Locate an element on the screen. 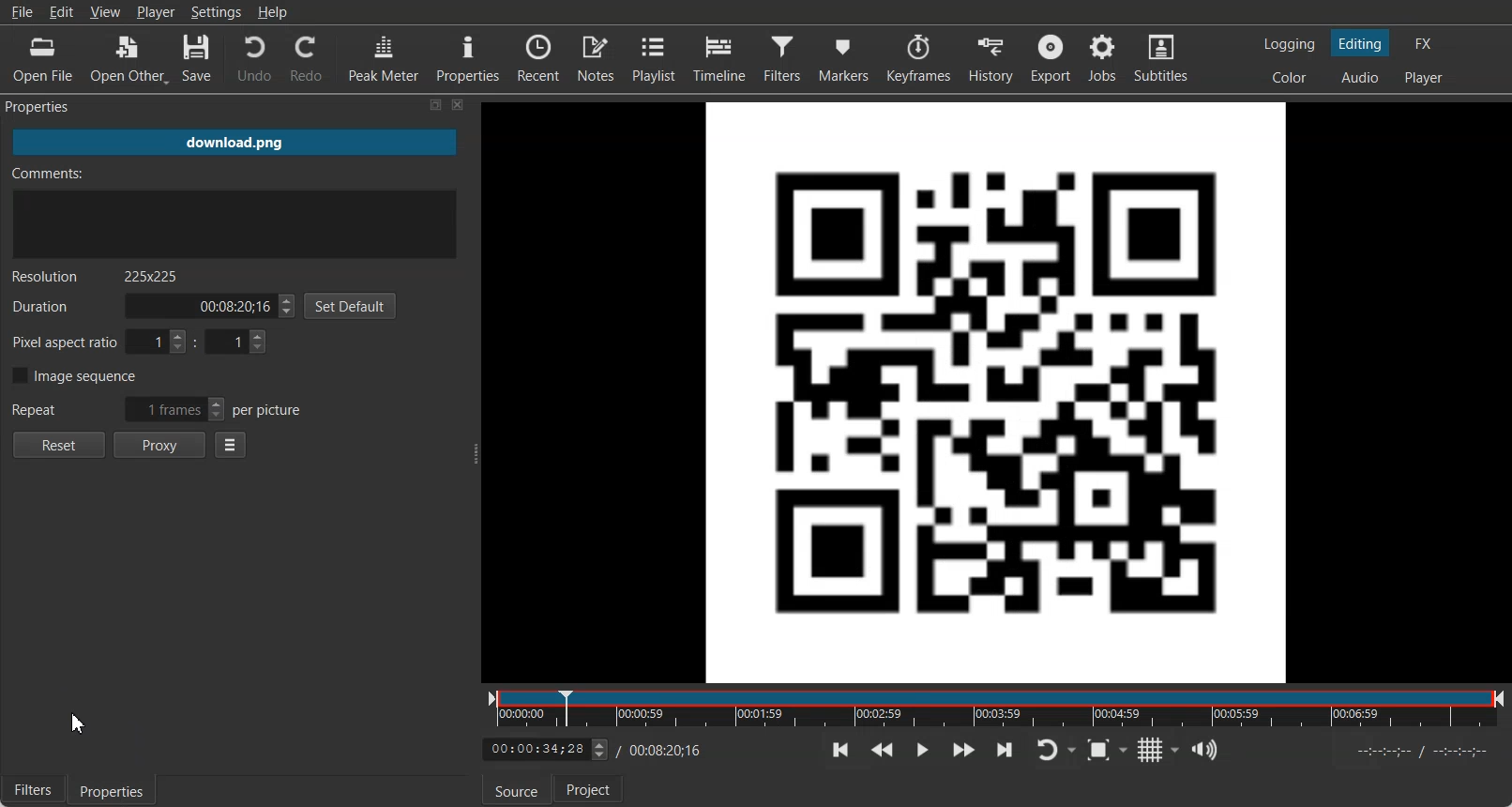 Image resolution: width=1512 pixels, height=807 pixels. Play quickly backward is located at coordinates (883, 749).